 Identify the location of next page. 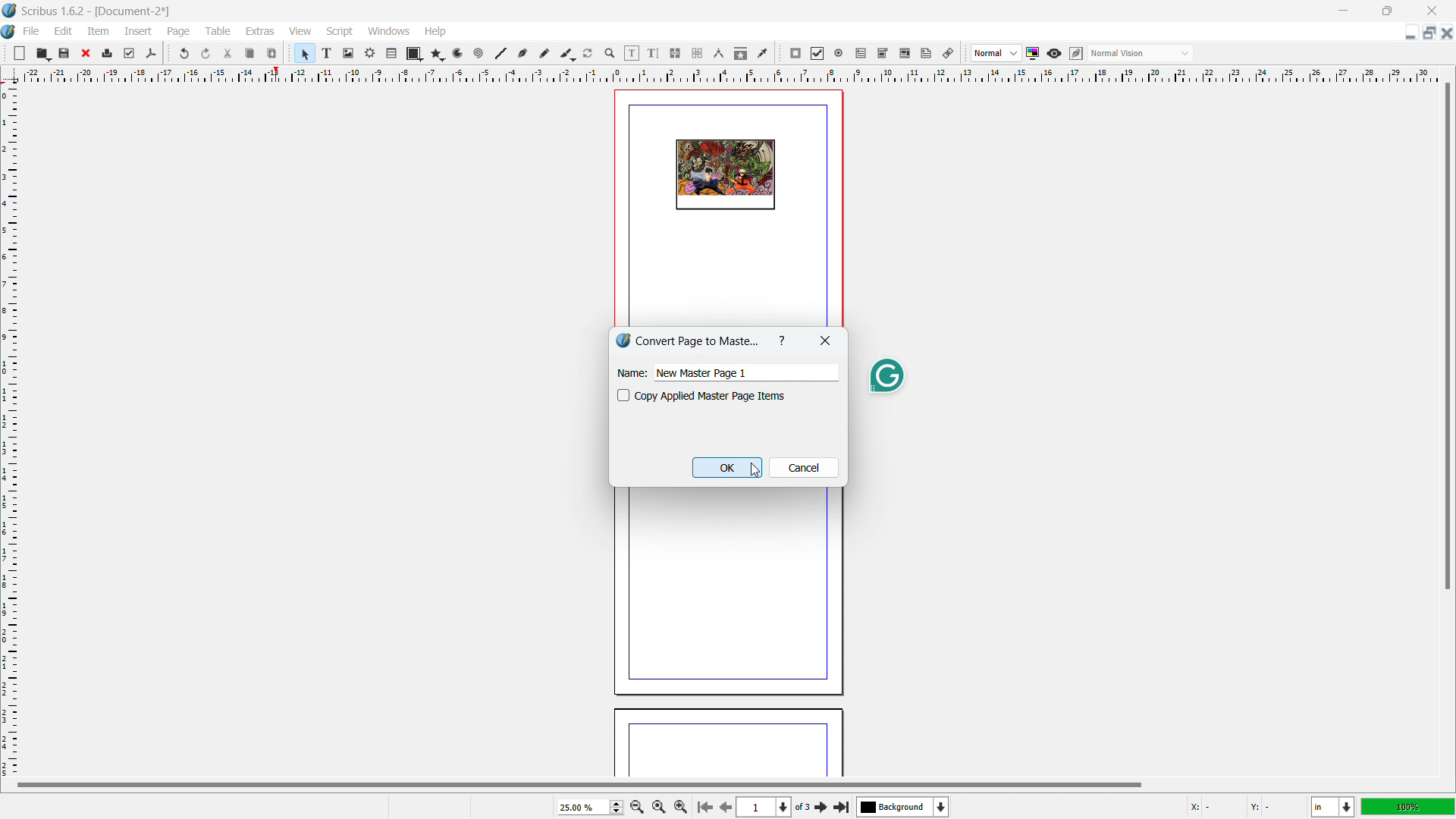
(822, 806).